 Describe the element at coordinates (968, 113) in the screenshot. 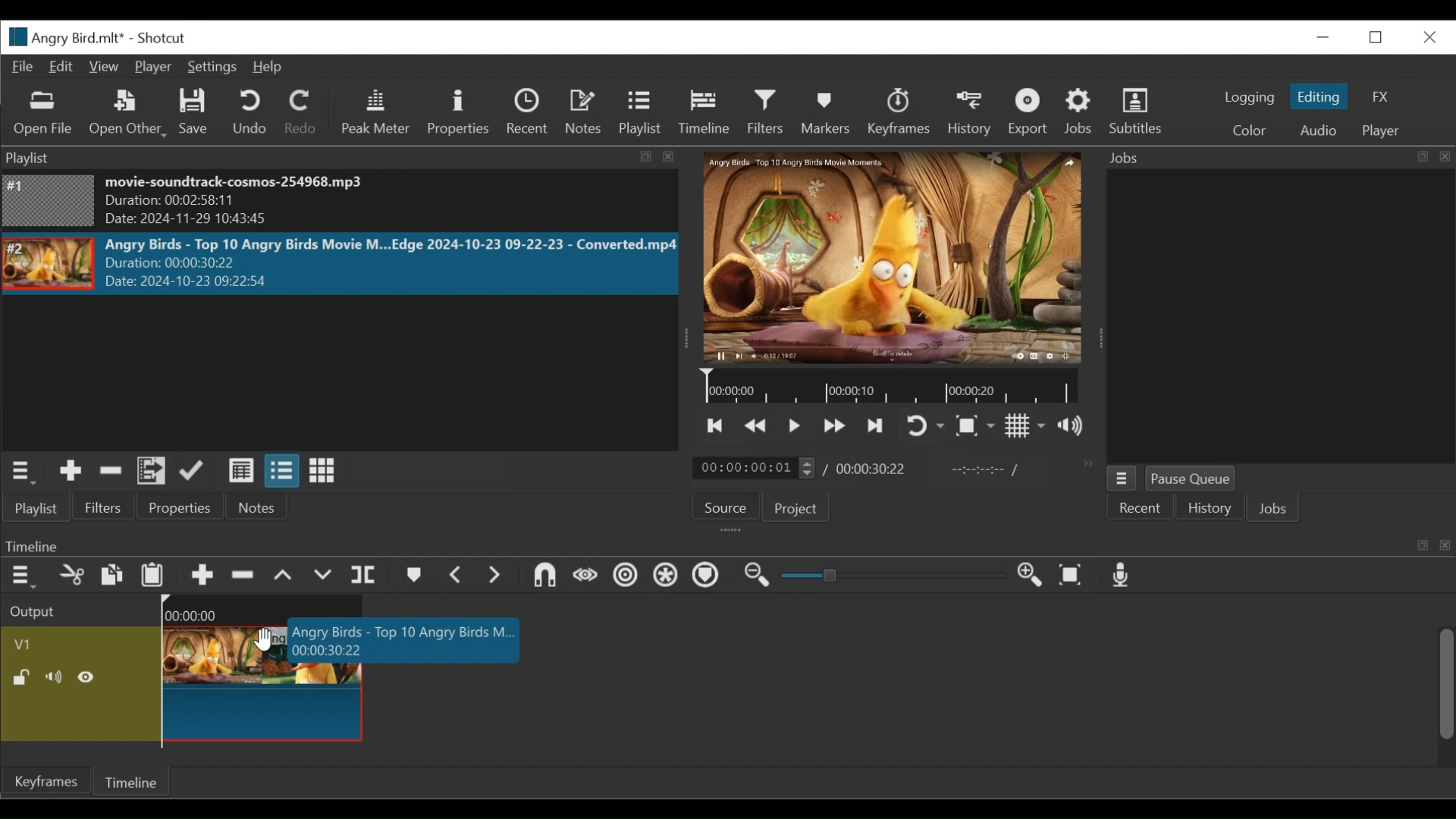

I see `History` at that location.